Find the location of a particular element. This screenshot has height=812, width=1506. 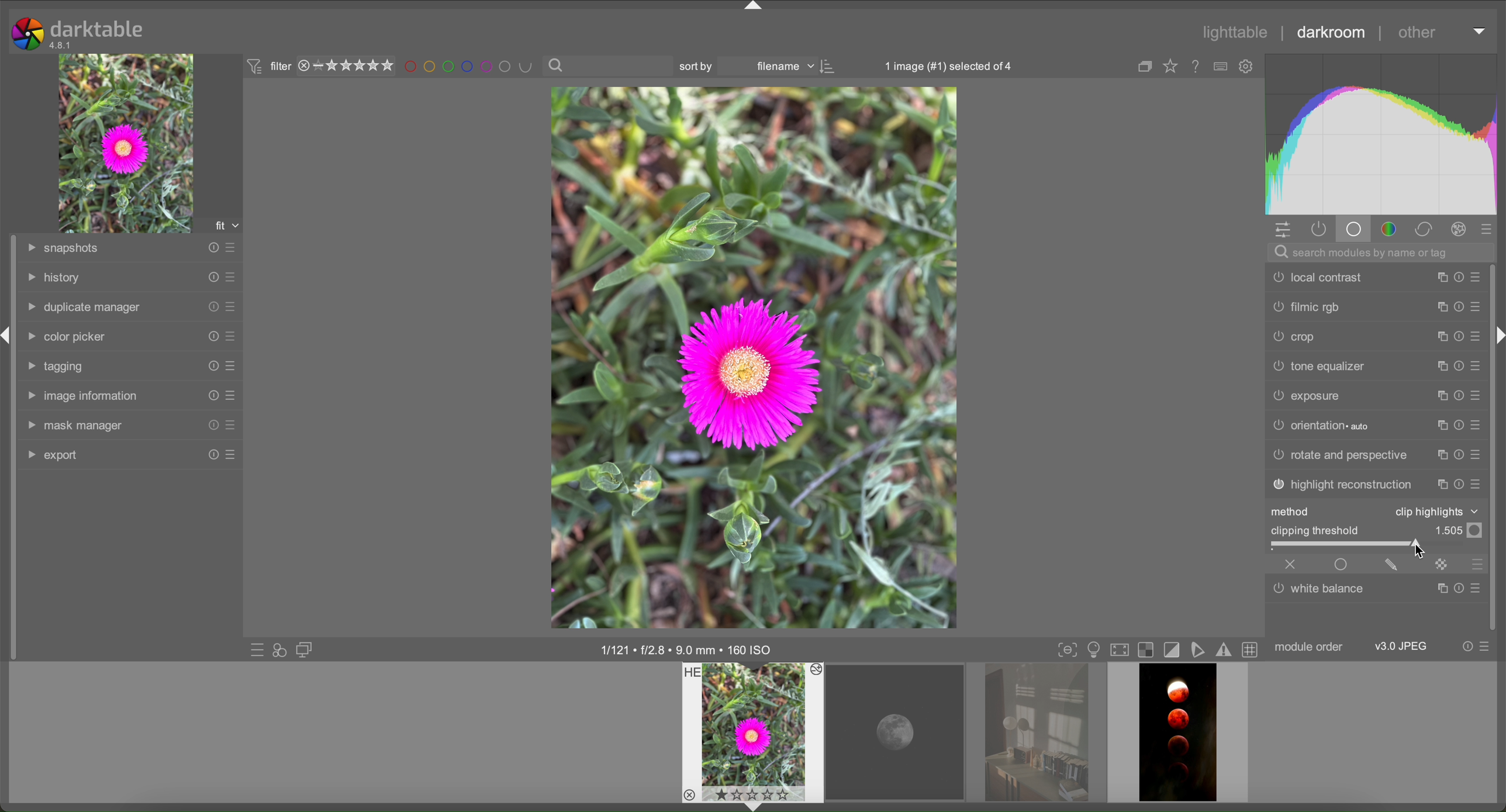

ursor is located at coordinates (1419, 550).